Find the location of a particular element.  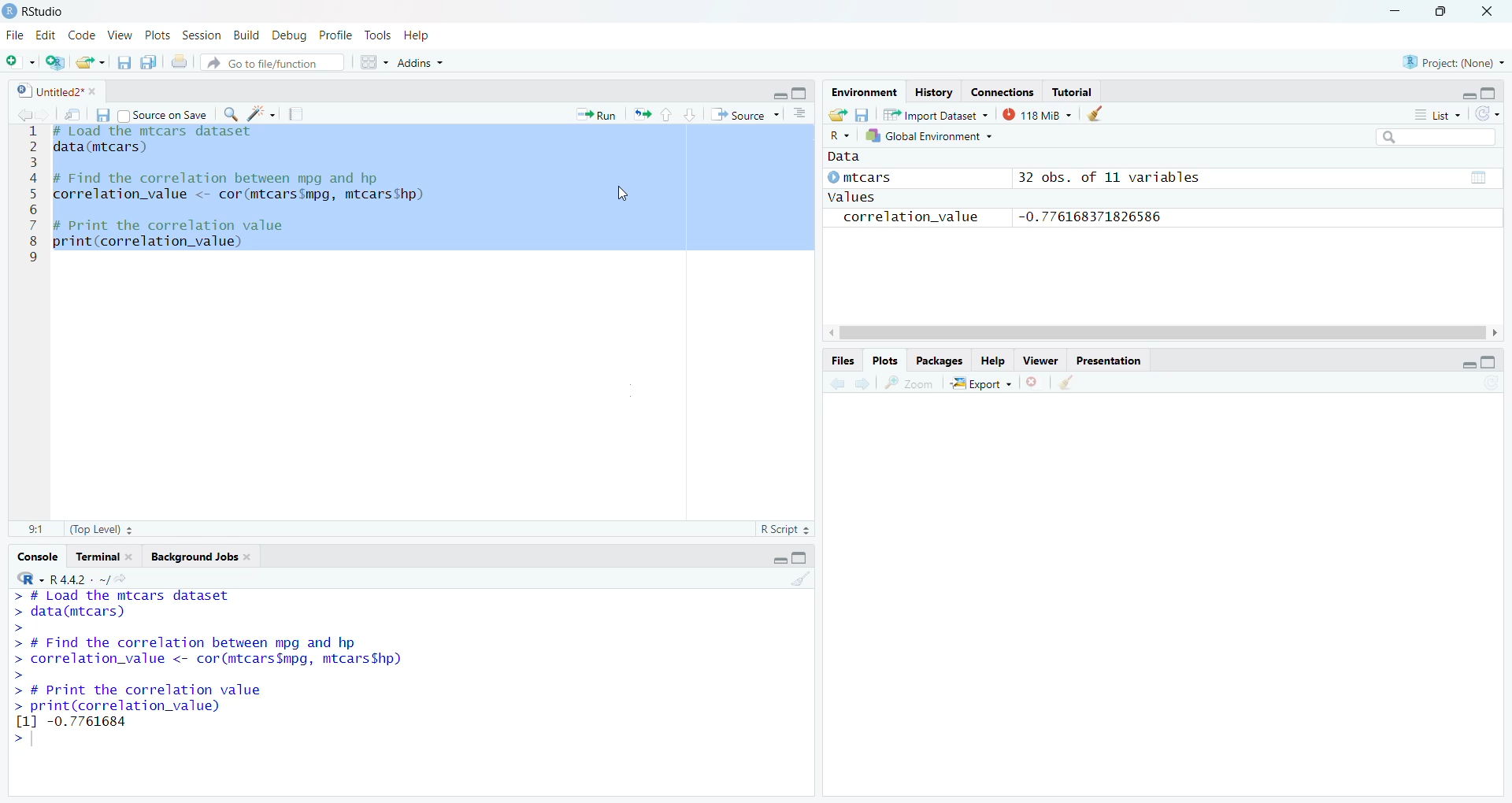

Re-run the previous code region (Ctrl + Alt + P) is located at coordinates (643, 112).